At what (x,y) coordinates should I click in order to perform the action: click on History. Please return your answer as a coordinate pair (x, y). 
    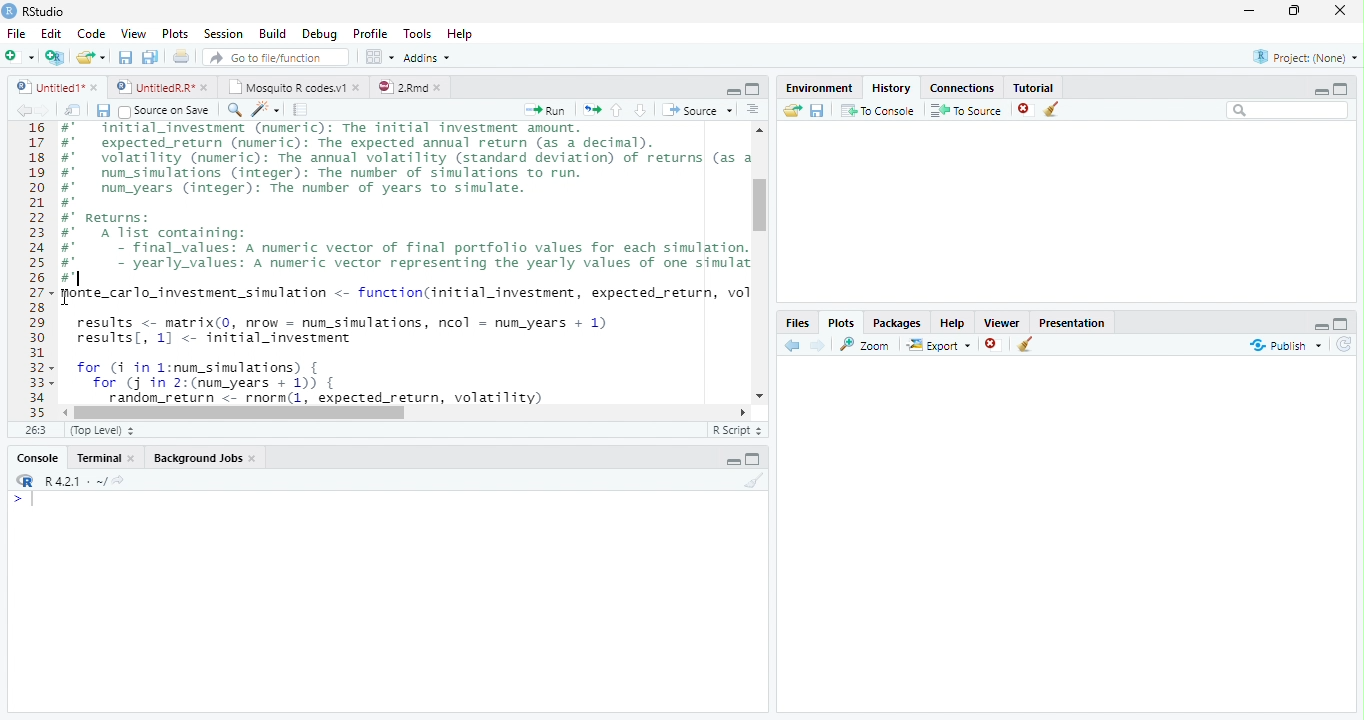
    Looking at the image, I should click on (890, 86).